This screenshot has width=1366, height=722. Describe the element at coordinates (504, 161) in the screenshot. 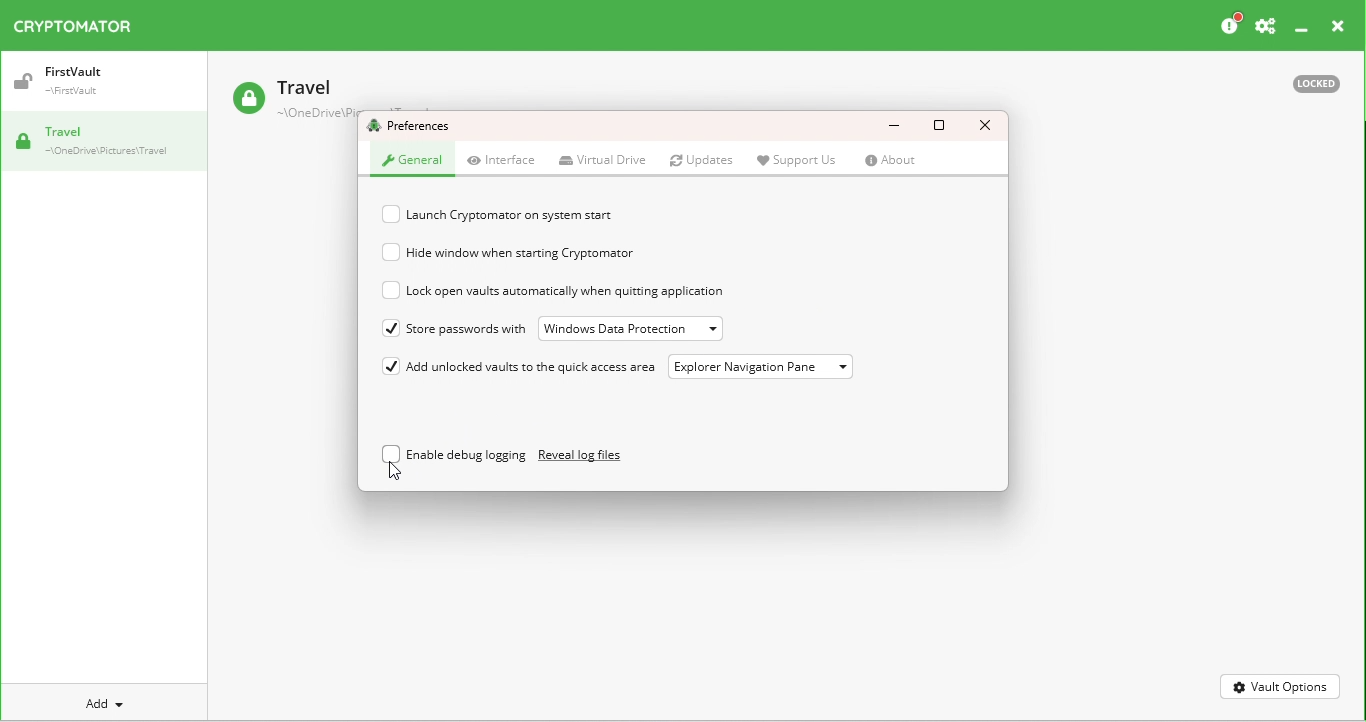

I see `Interface` at that location.